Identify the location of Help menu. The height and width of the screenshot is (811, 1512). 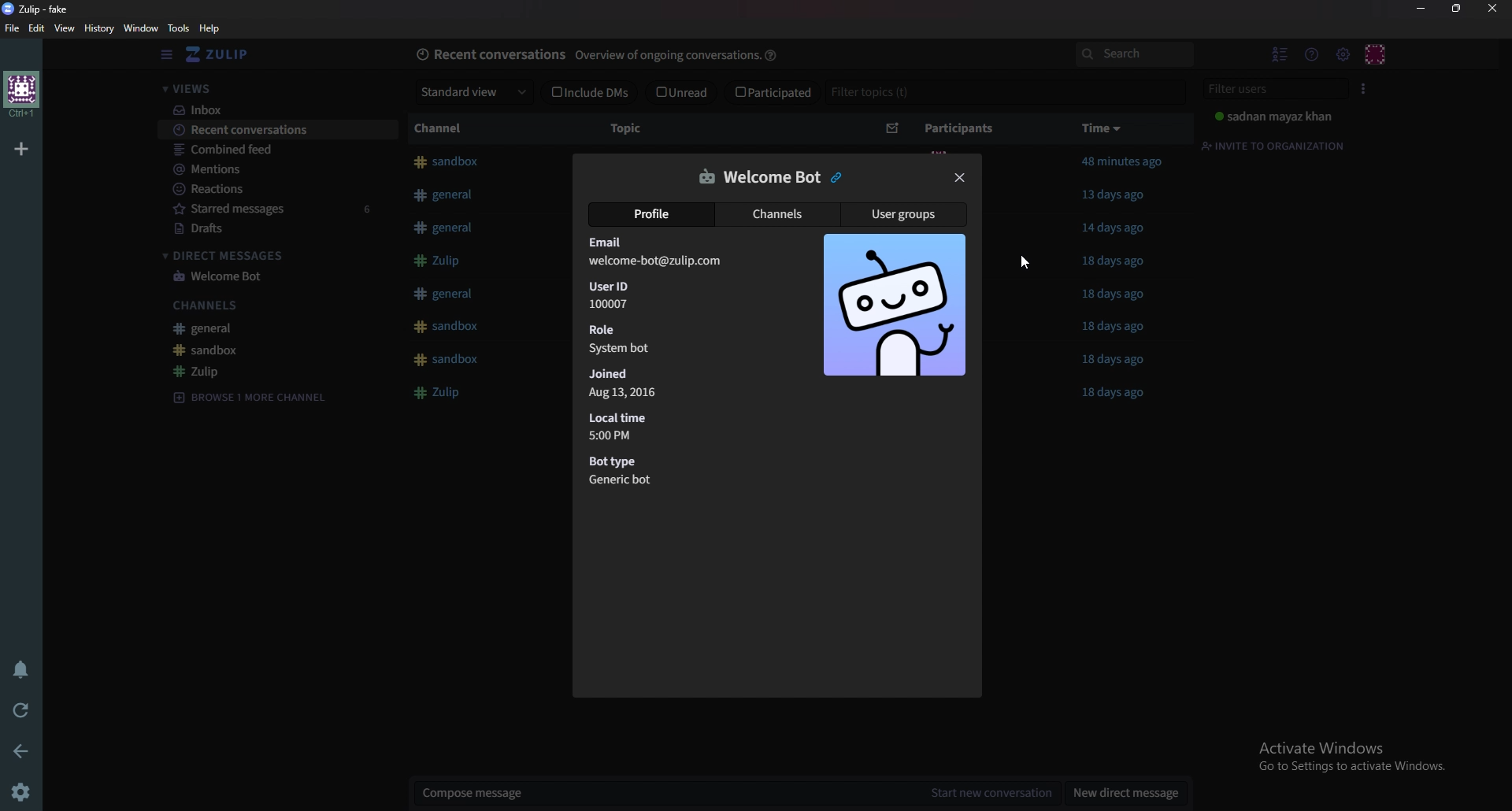
(1310, 54).